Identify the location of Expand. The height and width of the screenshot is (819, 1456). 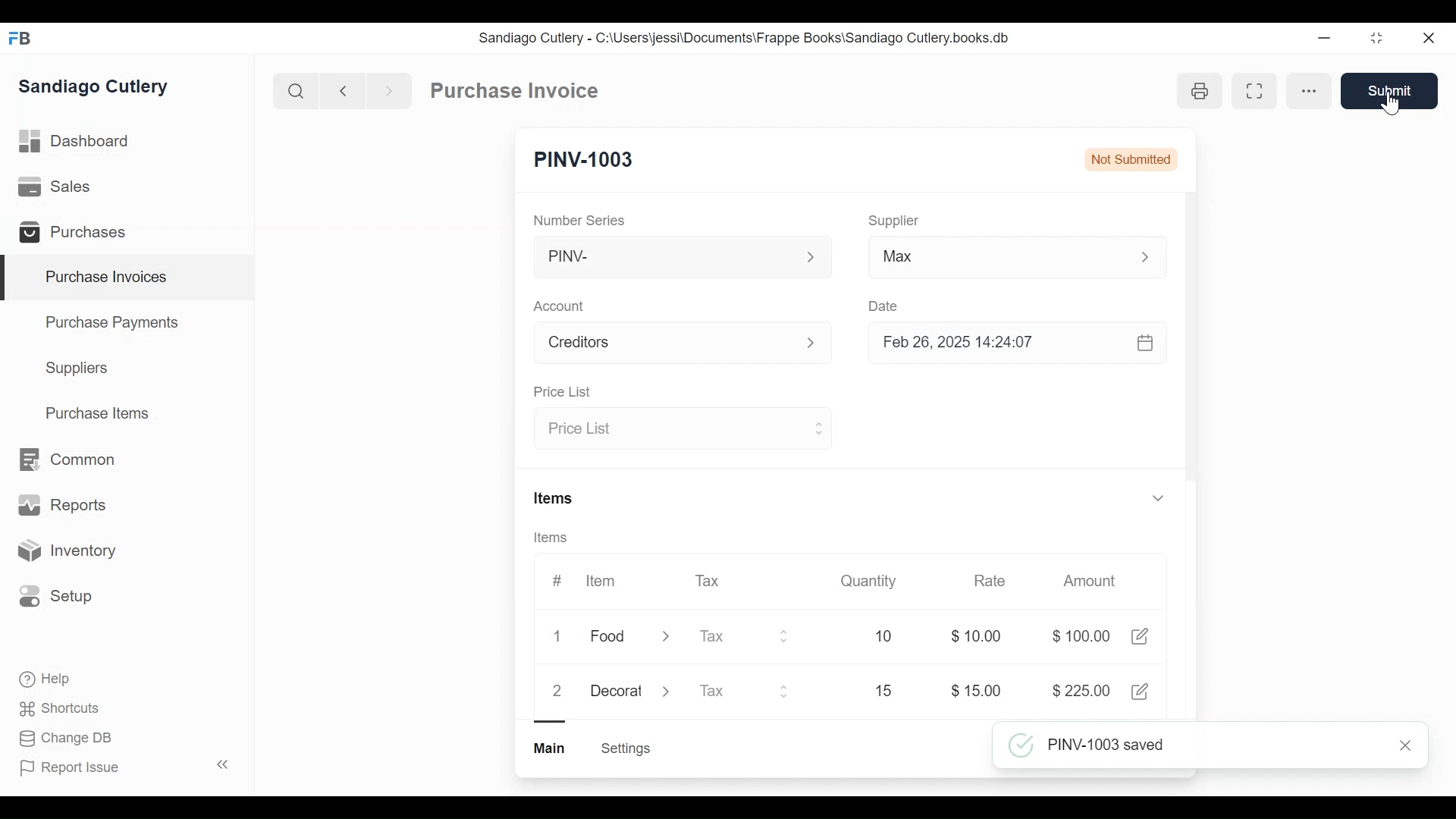
(785, 636).